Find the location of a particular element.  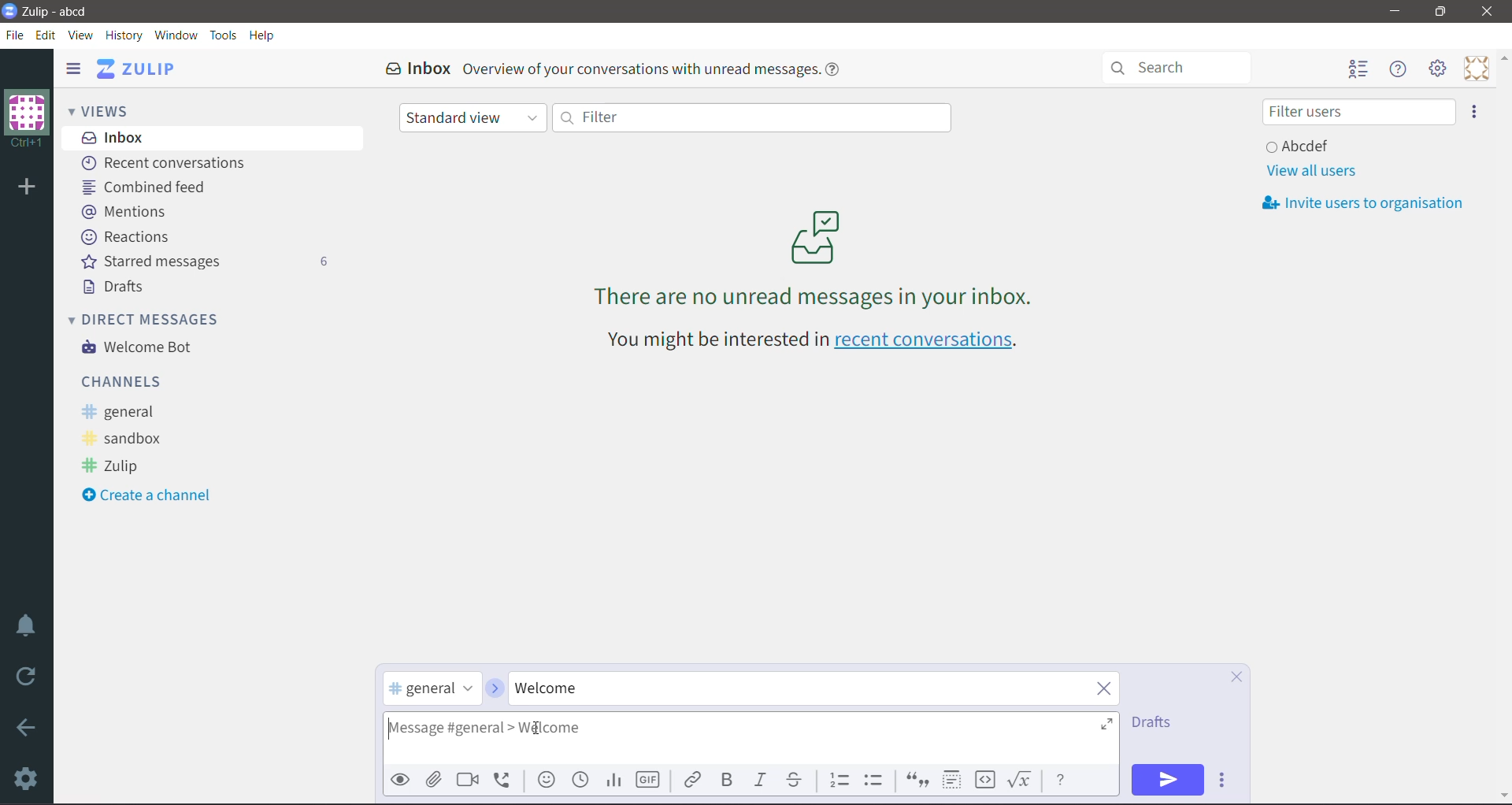

User and Status is located at coordinates (1301, 145).